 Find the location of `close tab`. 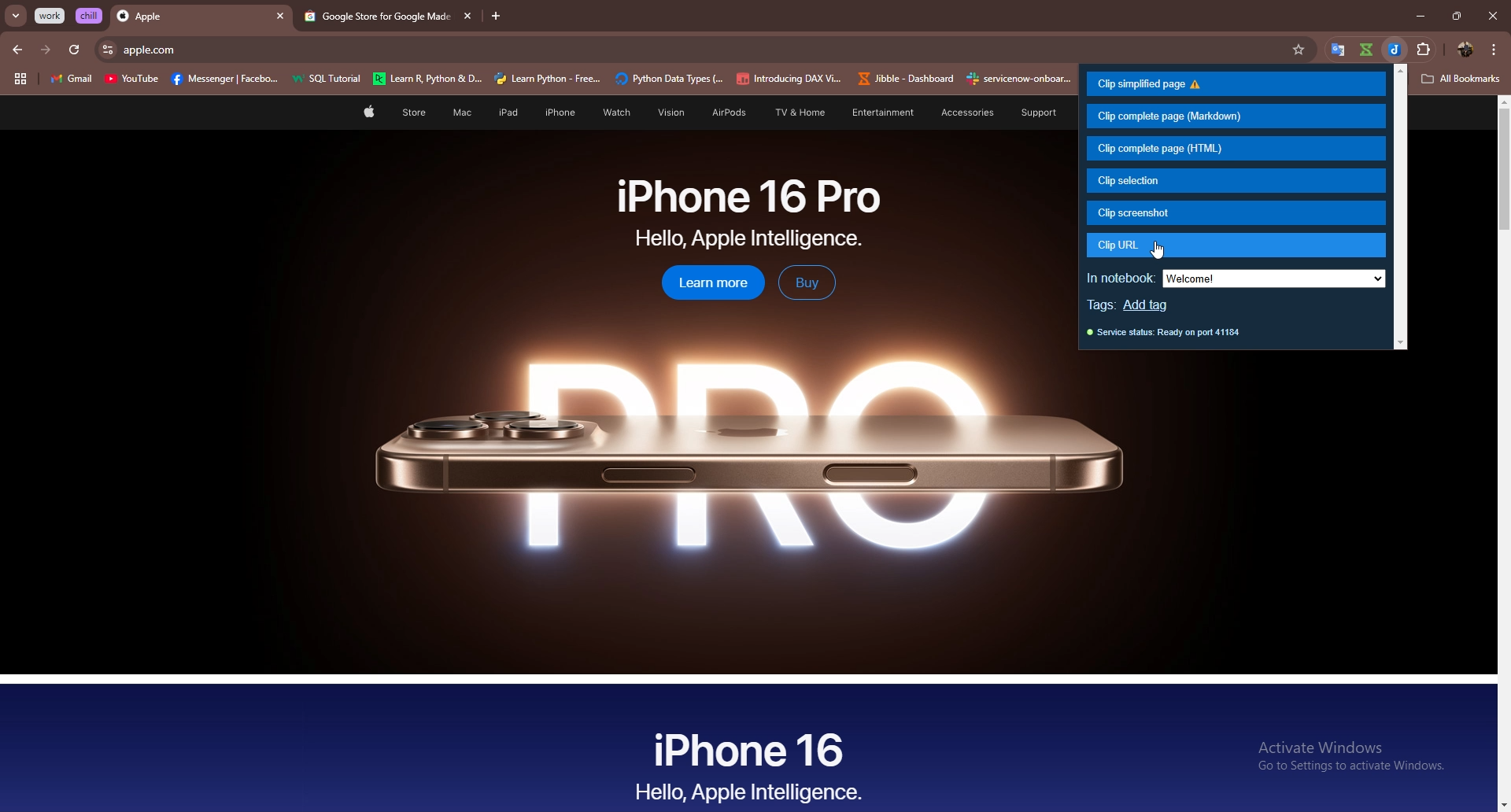

close tab is located at coordinates (280, 17).